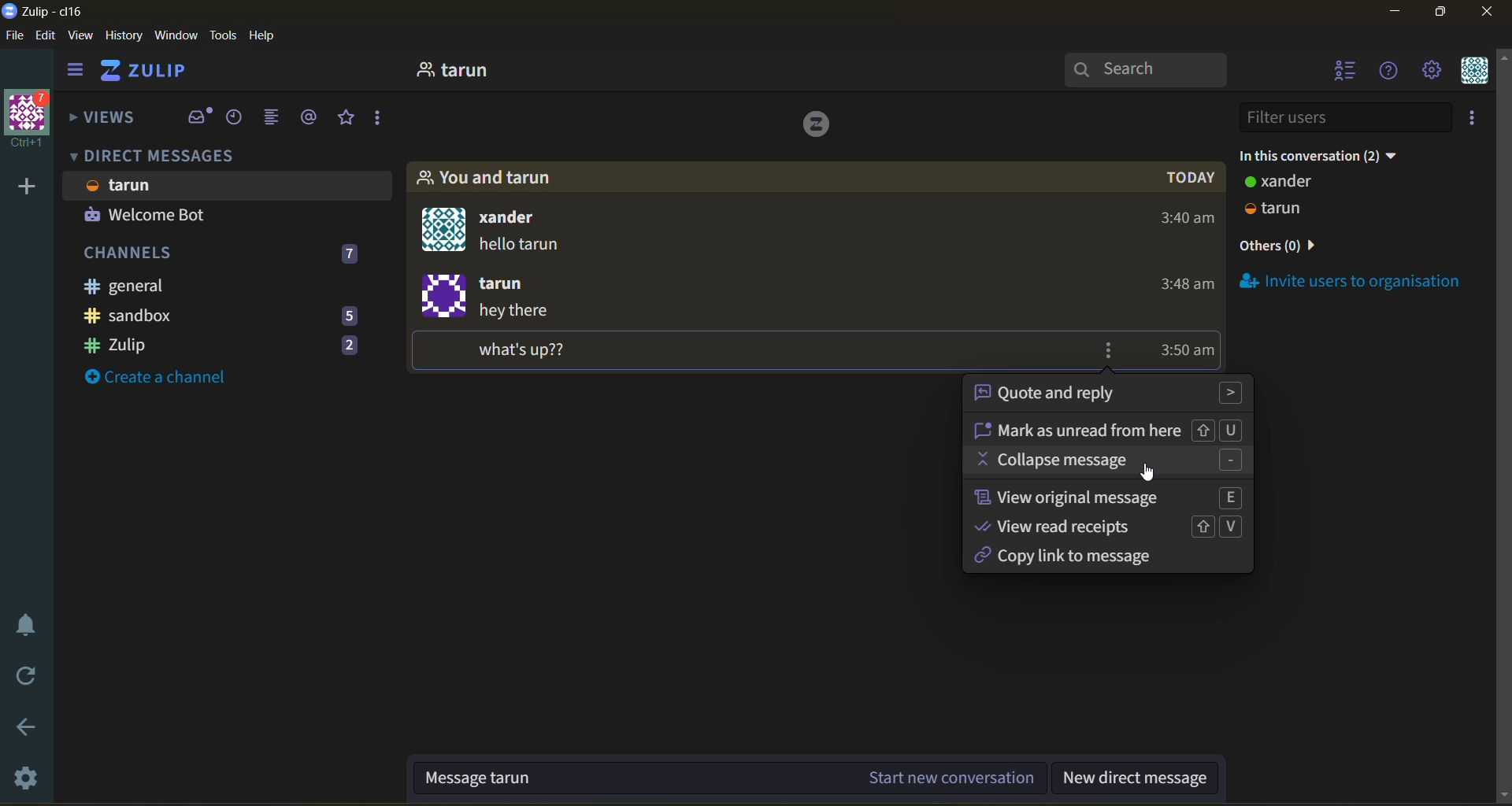  What do you see at coordinates (1147, 70) in the screenshot?
I see `search` at bounding box center [1147, 70].